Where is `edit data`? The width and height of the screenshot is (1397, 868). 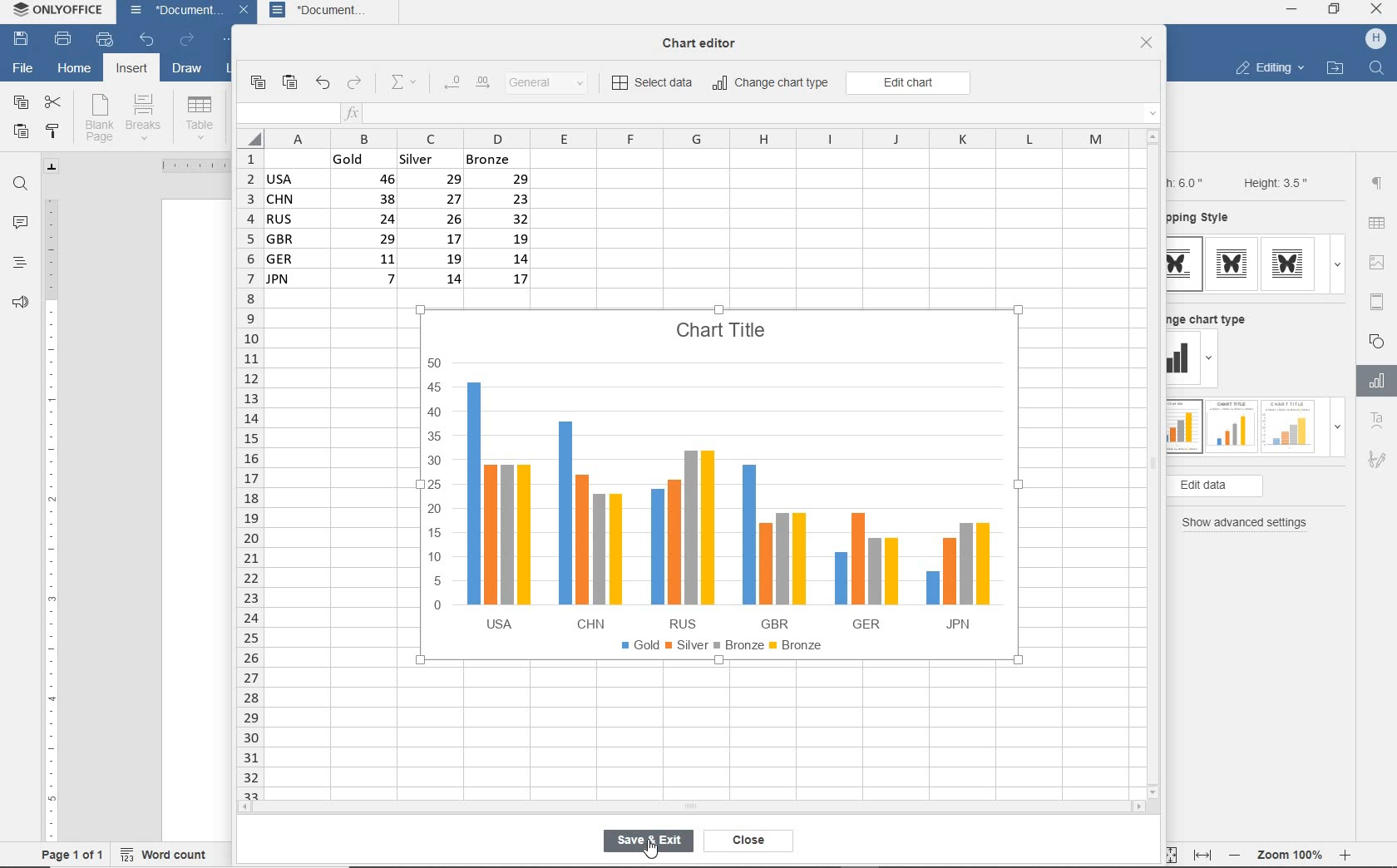 edit data is located at coordinates (1242, 486).